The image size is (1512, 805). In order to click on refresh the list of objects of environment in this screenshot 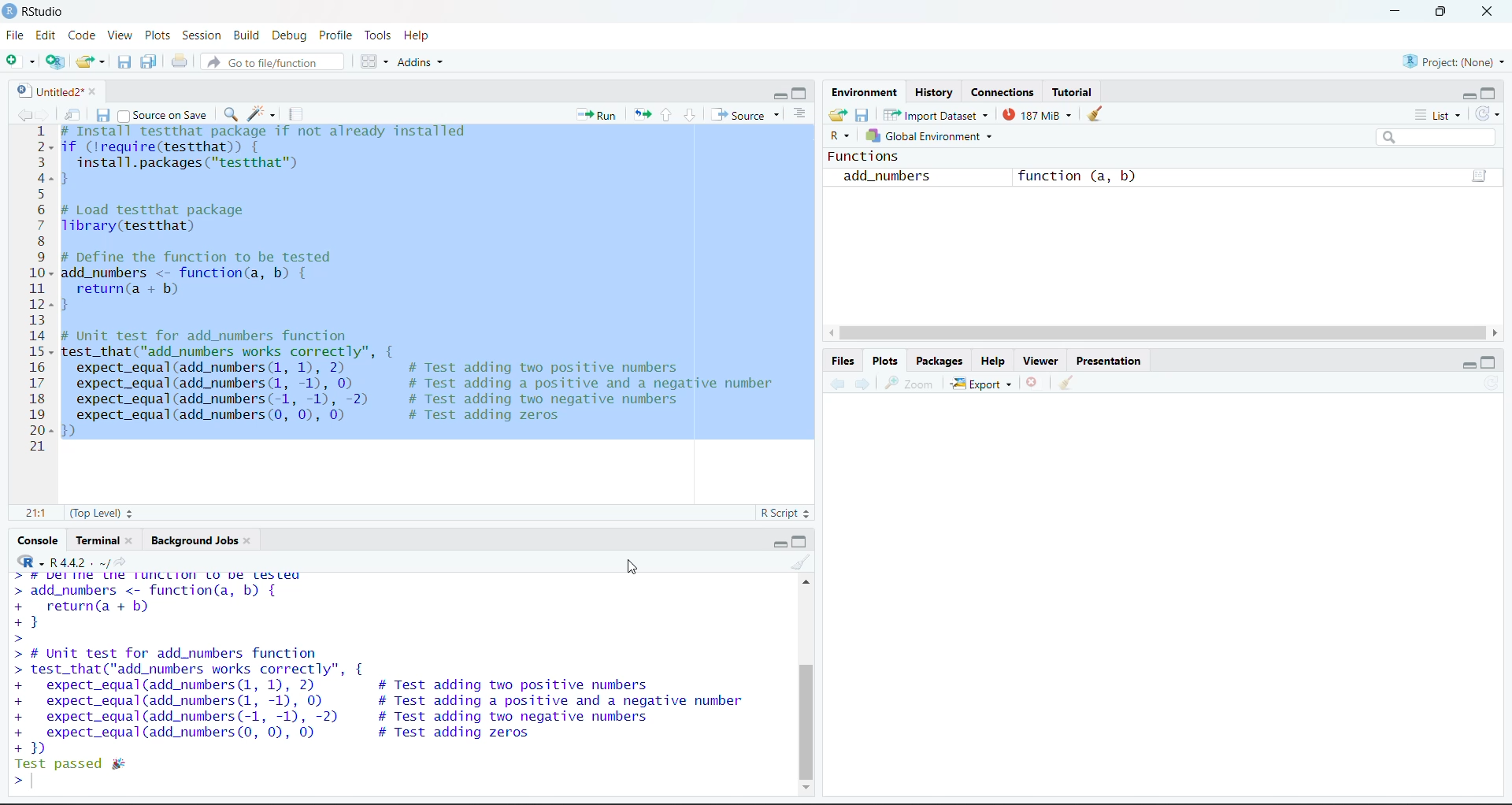, I will do `click(1488, 114)`.